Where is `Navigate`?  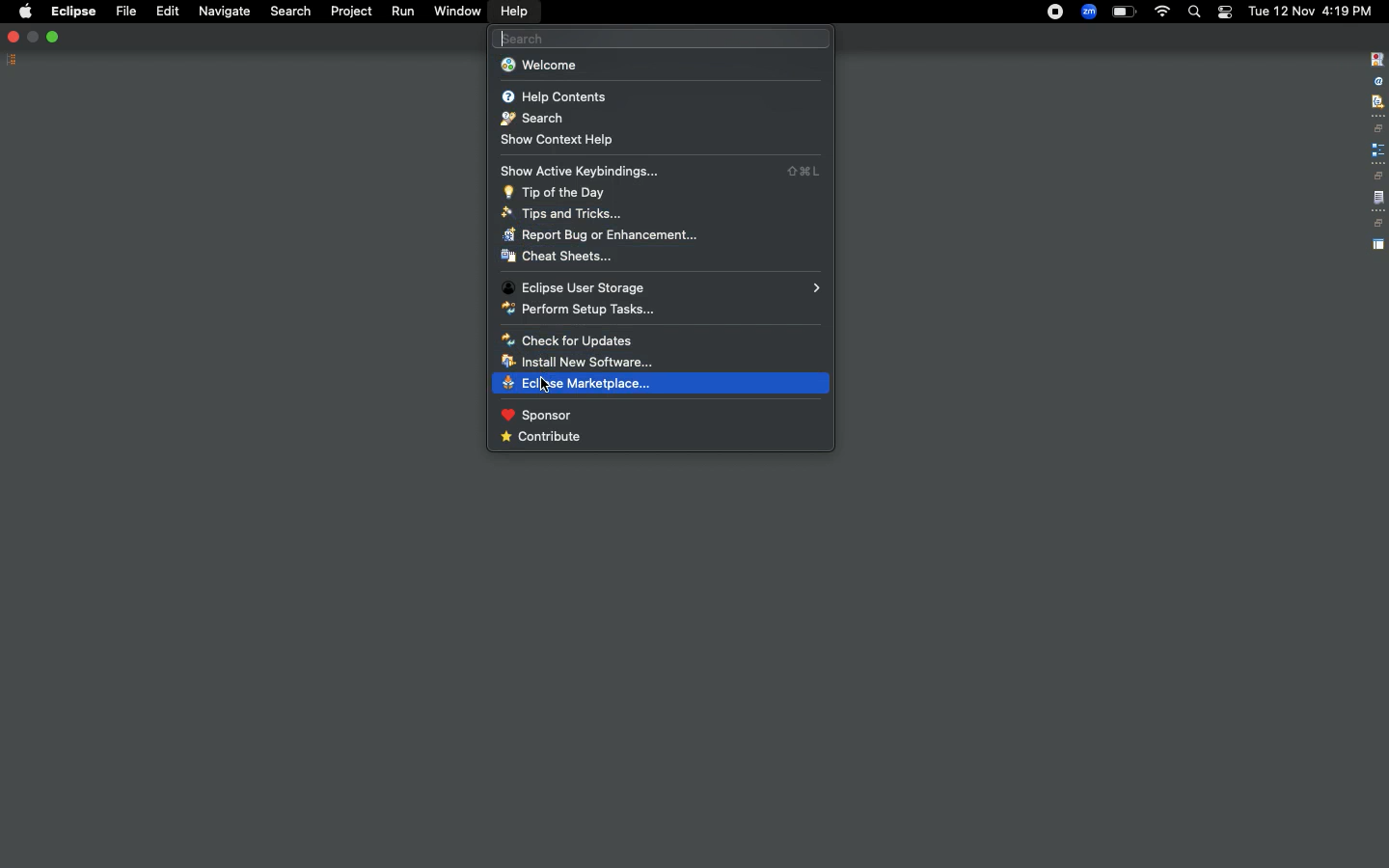 Navigate is located at coordinates (222, 13).